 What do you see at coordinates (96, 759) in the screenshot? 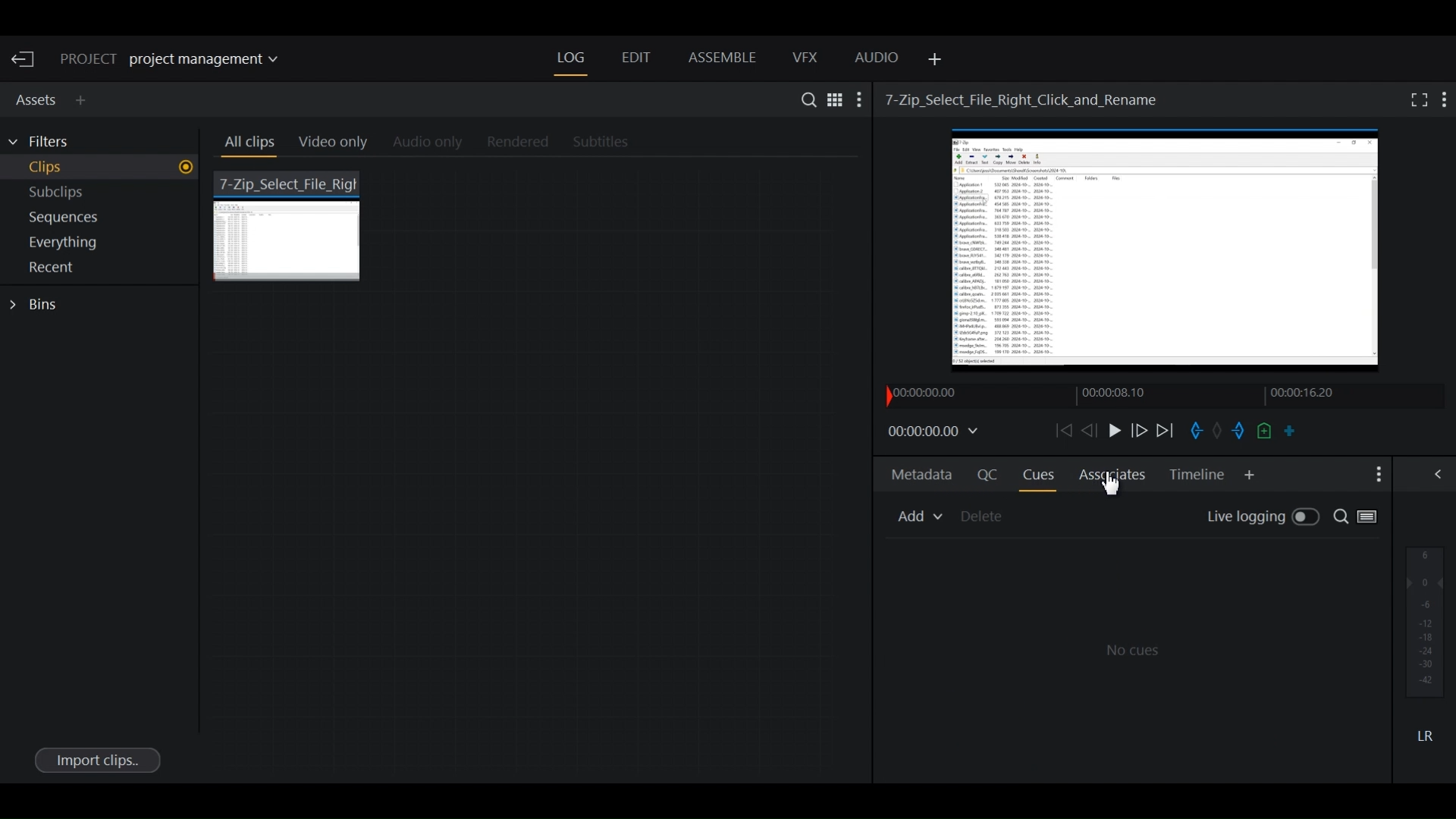
I see `Import clips` at bounding box center [96, 759].